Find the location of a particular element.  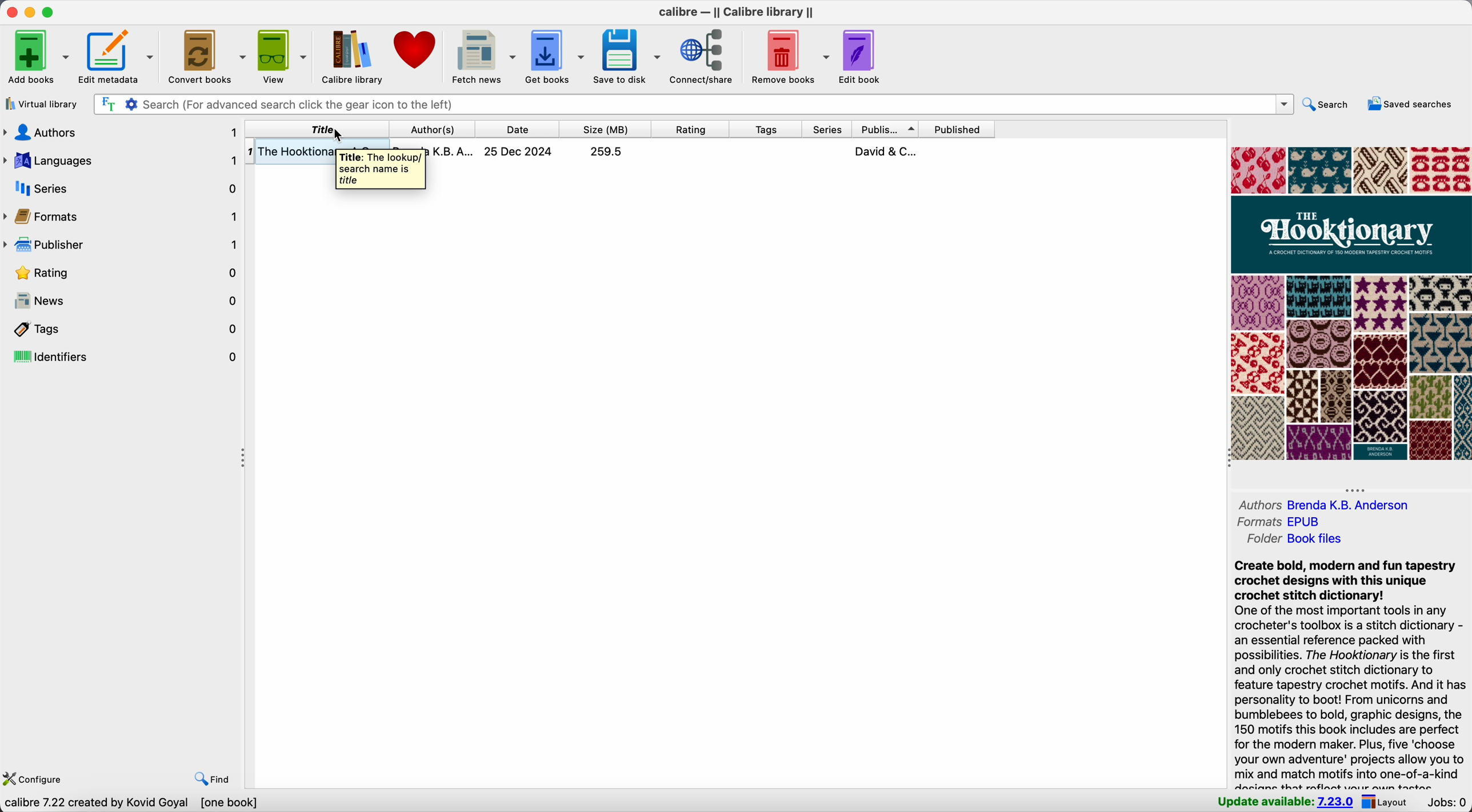

tags is located at coordinates (769, 129).